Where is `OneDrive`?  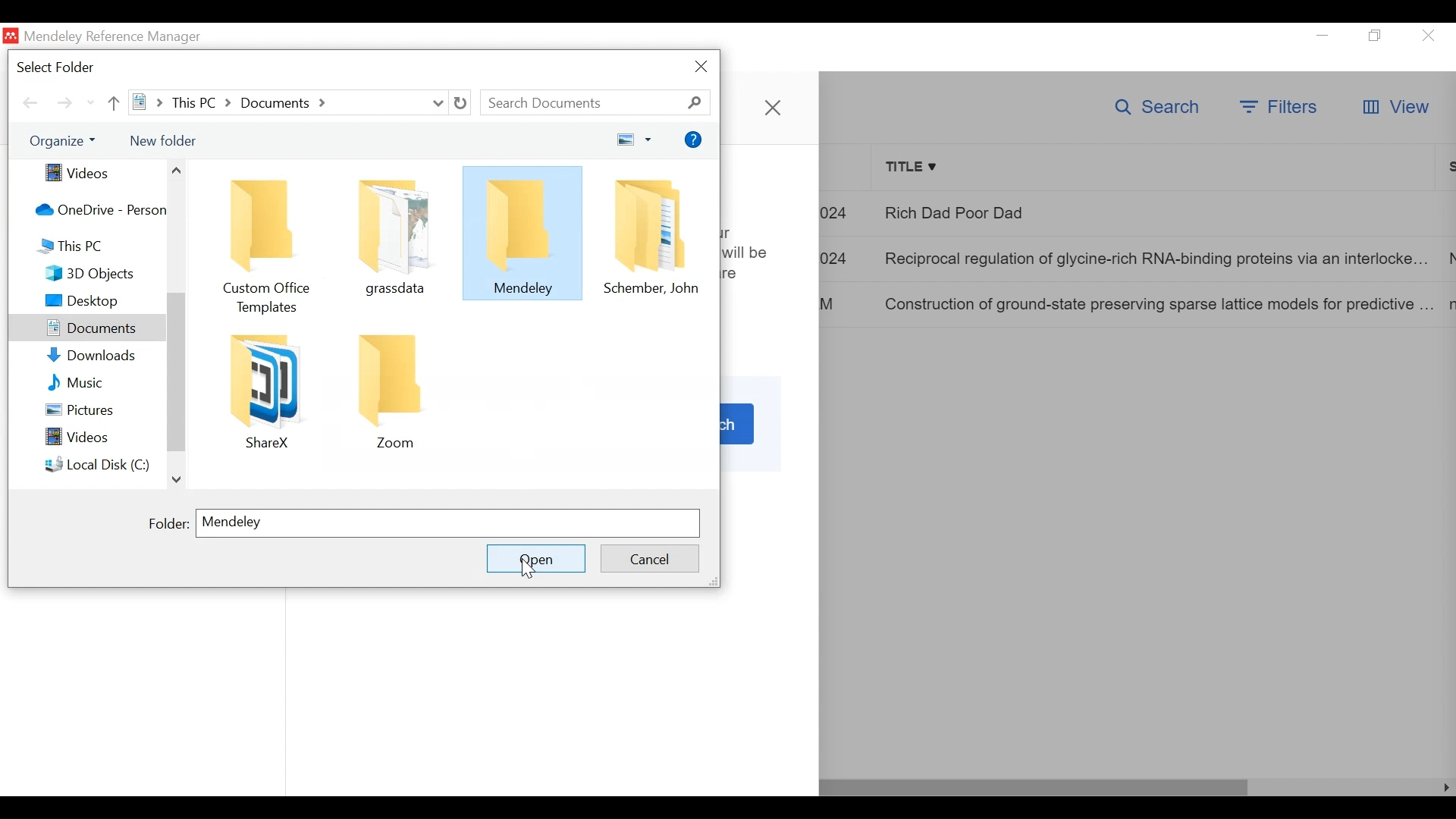
OneDrive is located at coordinates (96, 211).